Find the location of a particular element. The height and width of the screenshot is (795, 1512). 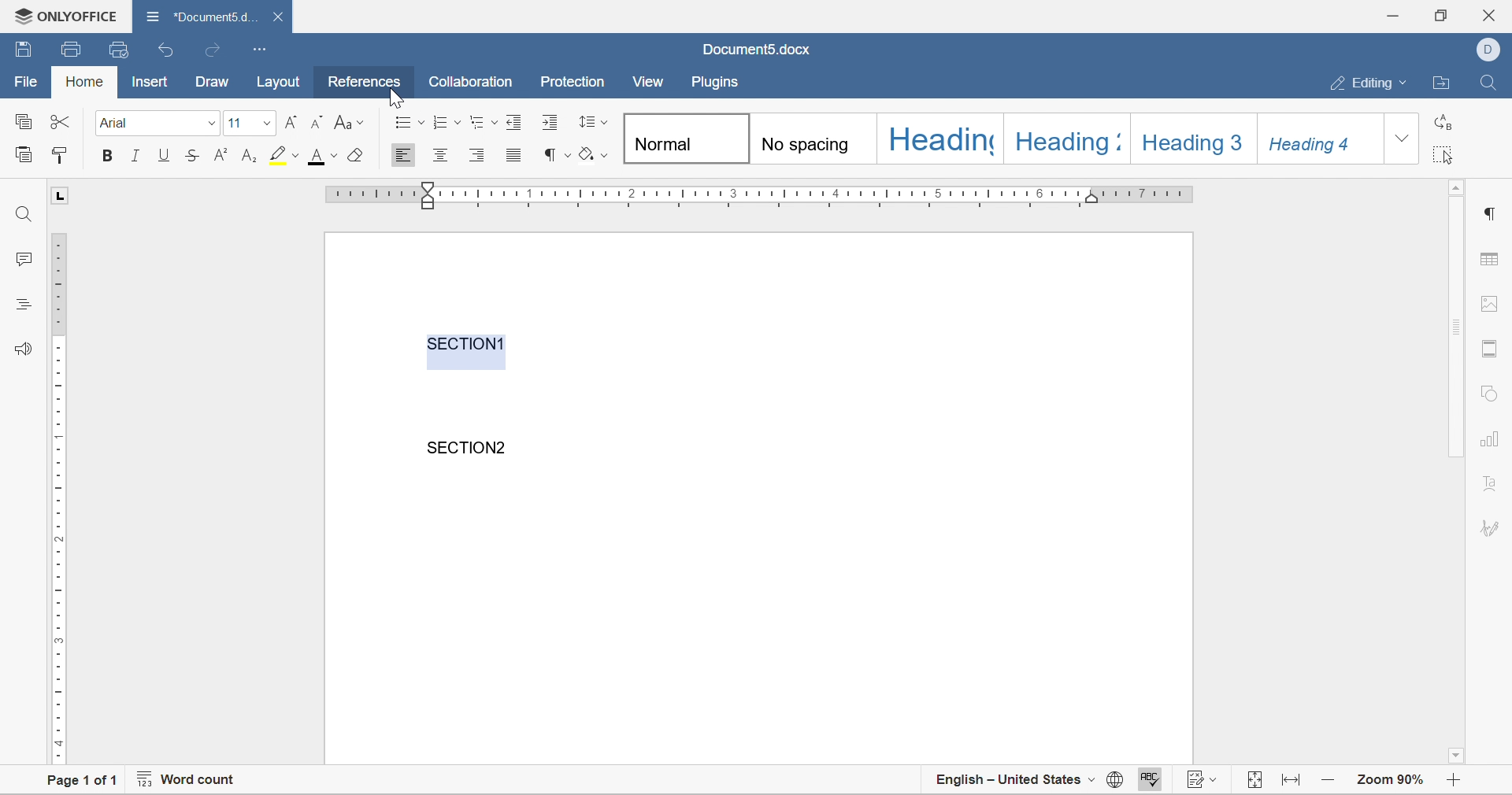

undo is located at coordinates (168, 51).